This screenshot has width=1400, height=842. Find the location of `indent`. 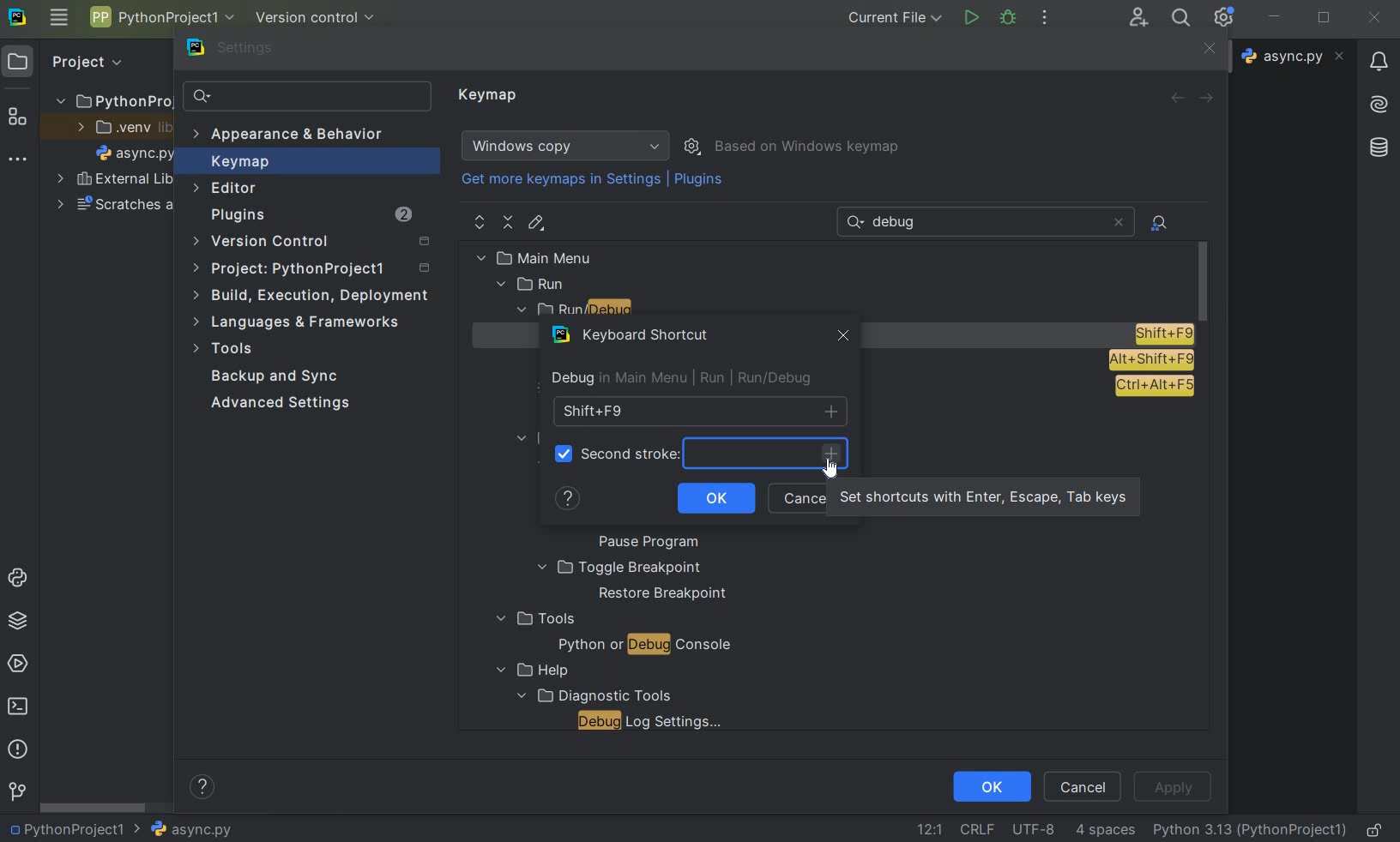

indent is located at coordinates (1105, 830).